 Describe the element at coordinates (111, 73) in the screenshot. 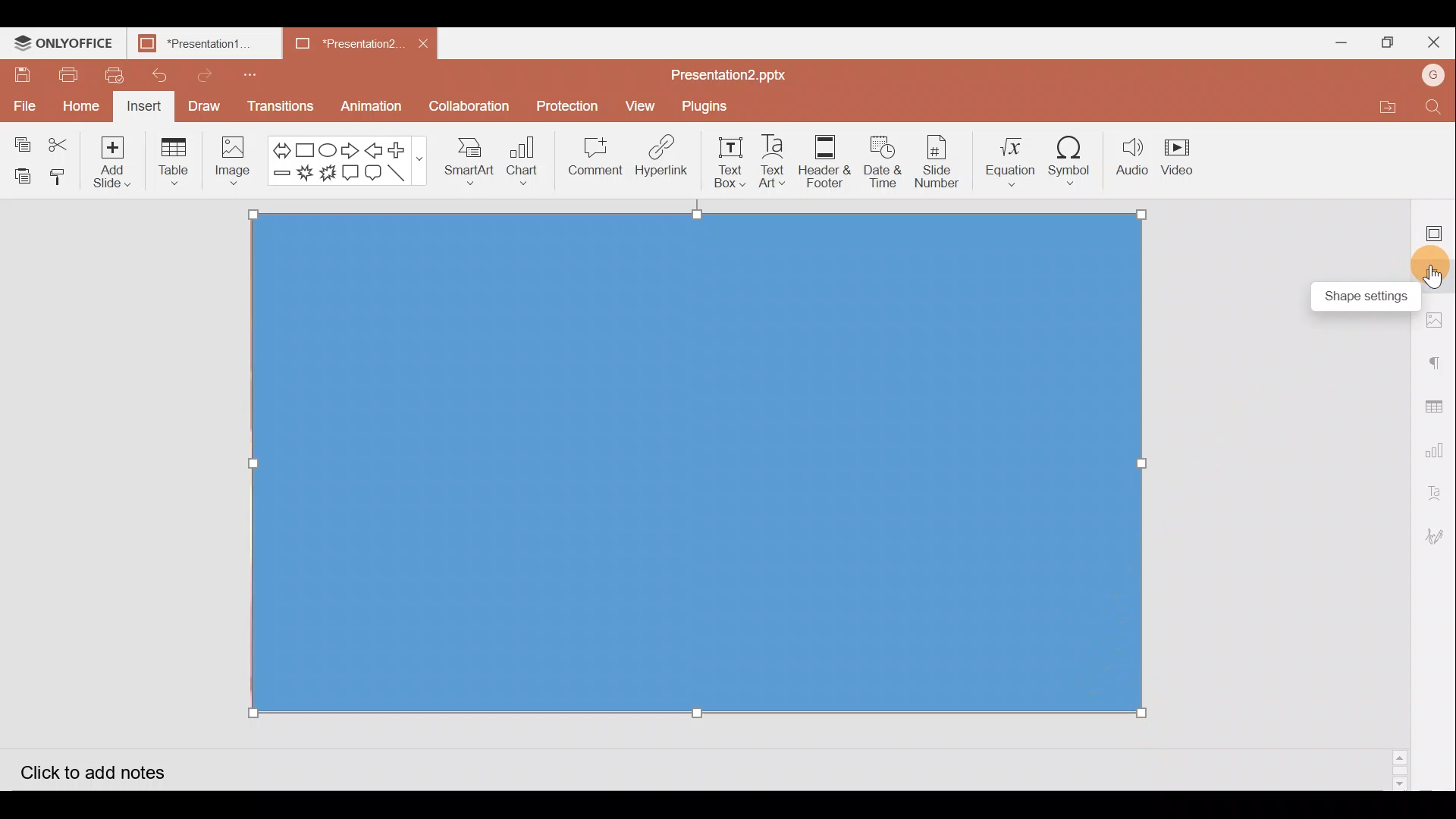

I see `Quick print` at that location.